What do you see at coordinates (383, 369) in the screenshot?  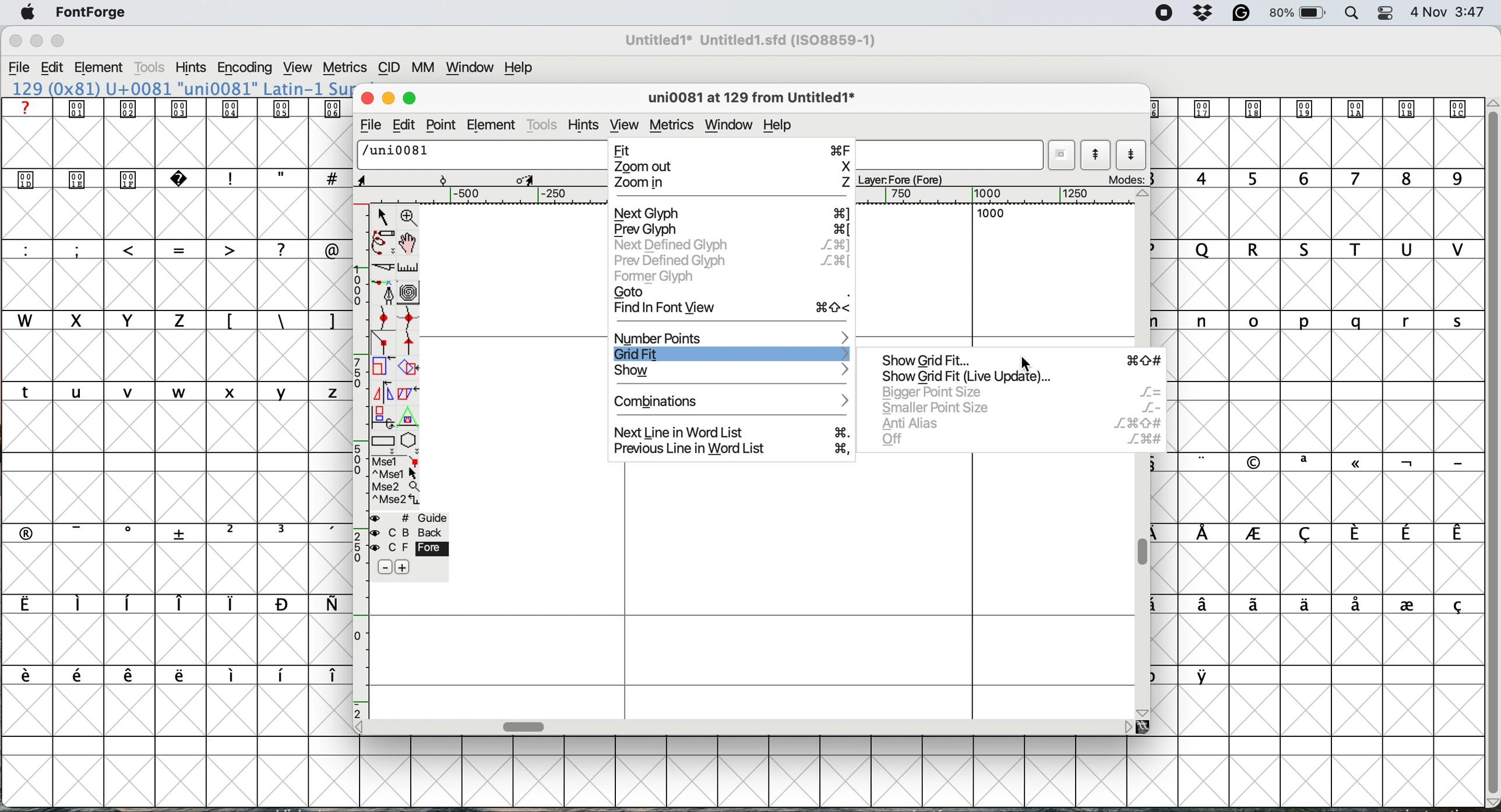 I see `scale the selection` at bounding box center [383, 369].